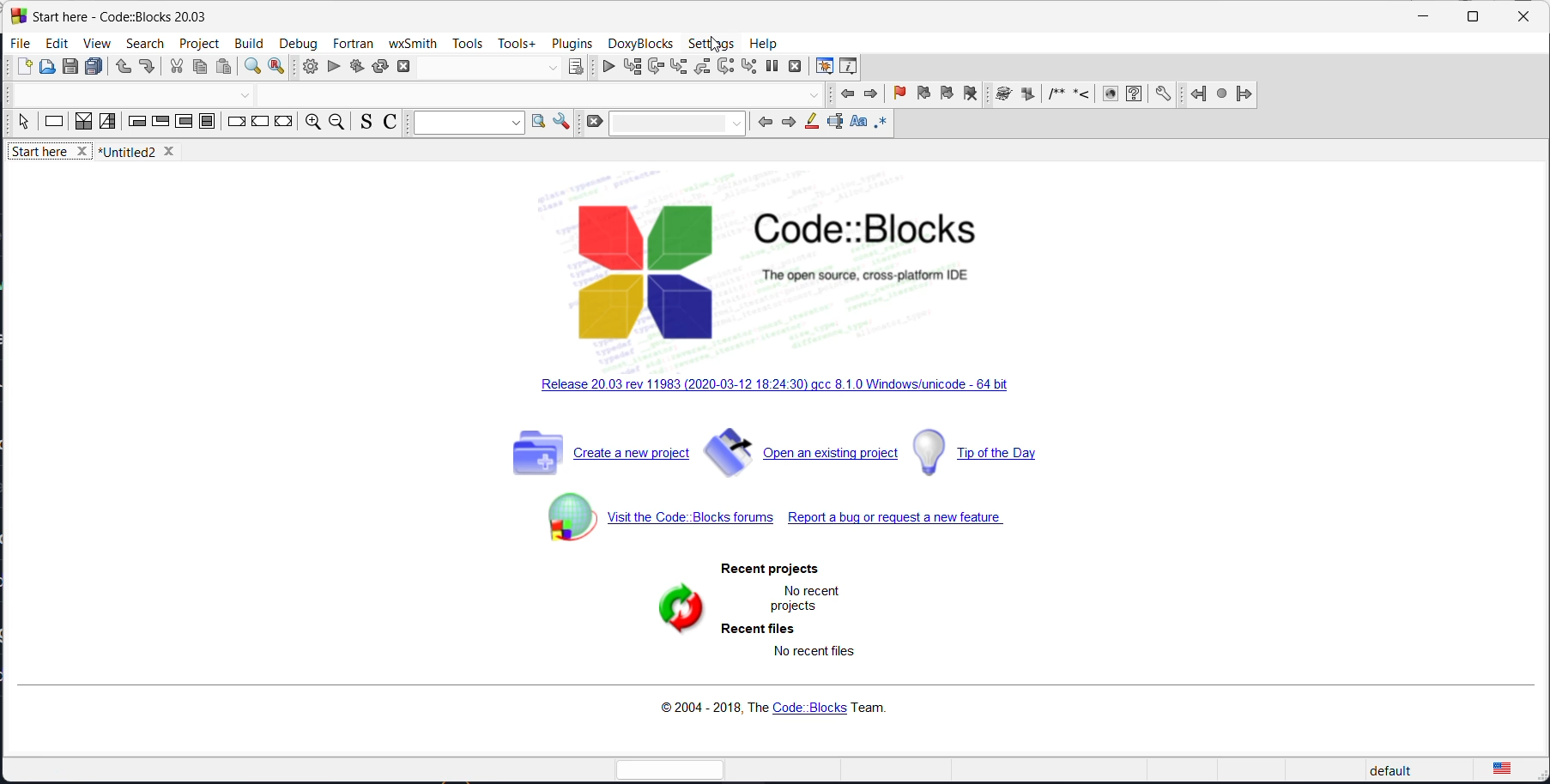 Image resolution: width=1550 pixels, height=784 pixels. What do you see at coordinates (1054, 96) in the screenshot?
I see `icon` at bounding box center [1054, 96].